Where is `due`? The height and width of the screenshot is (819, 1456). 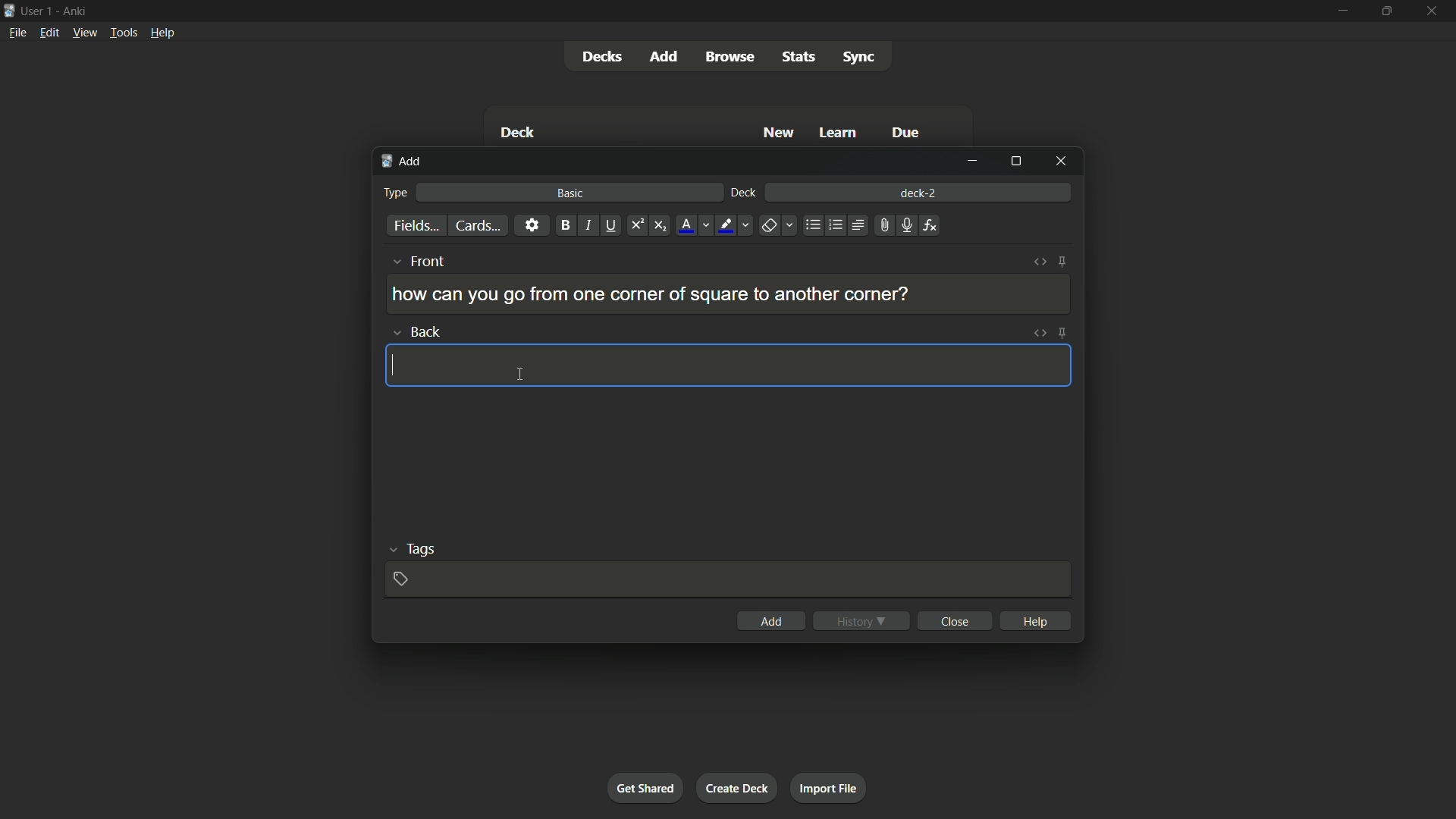
due is located at coordinates (903, 133).